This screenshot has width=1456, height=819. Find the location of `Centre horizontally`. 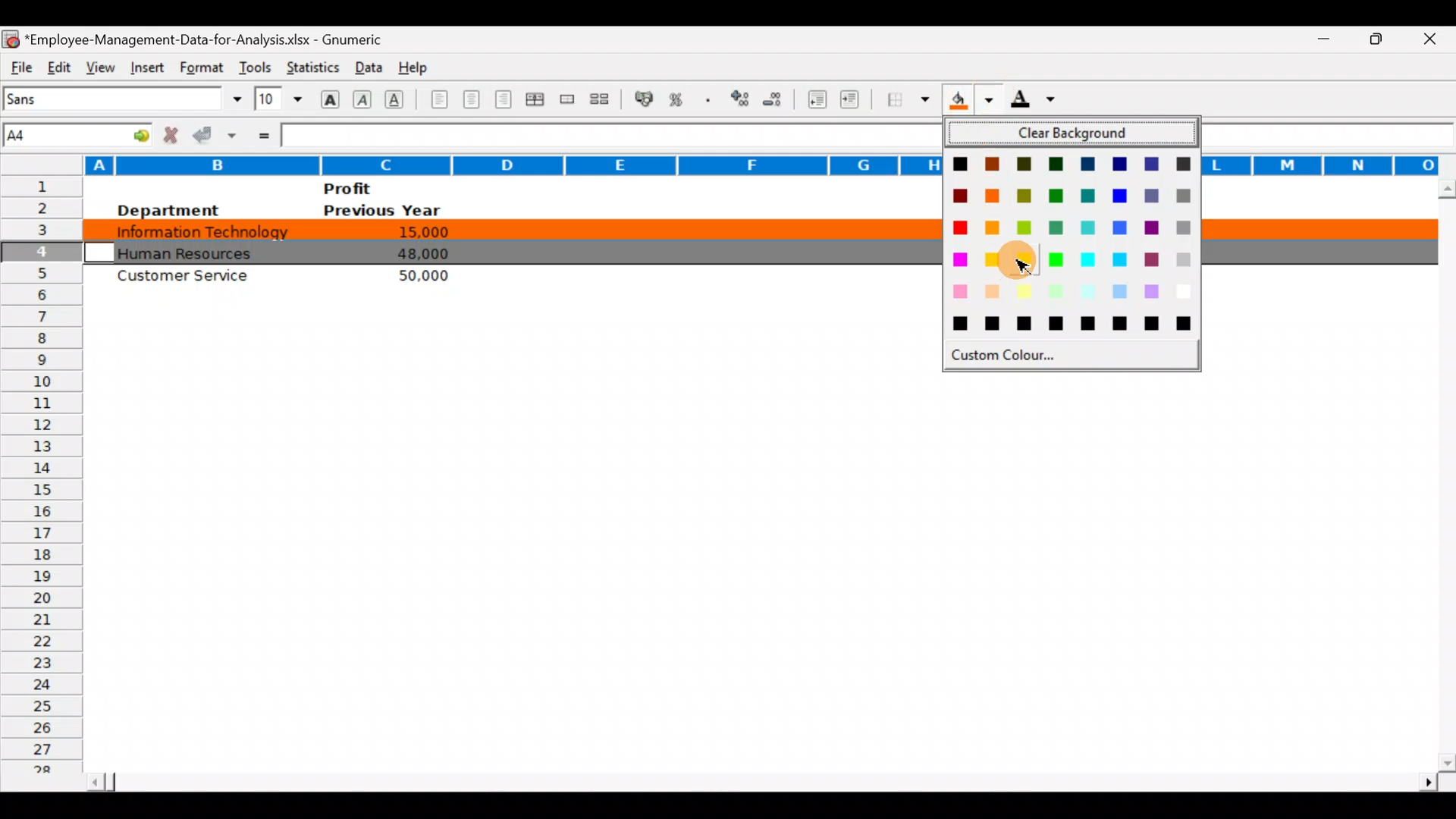

Centre horizontally is located at coordinates (472, 102).